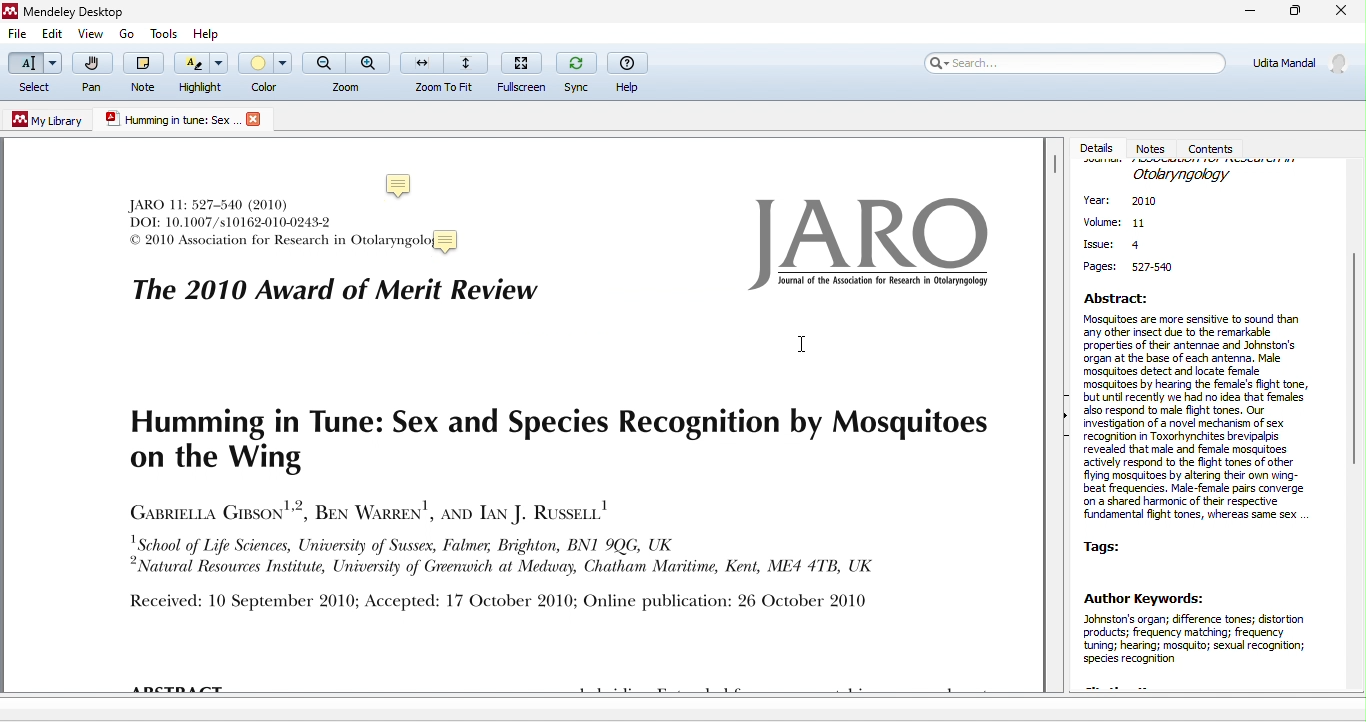 Image resolution: width=1366 pixels, height=722 pixels. I want to click on account, so click(1298, 69).